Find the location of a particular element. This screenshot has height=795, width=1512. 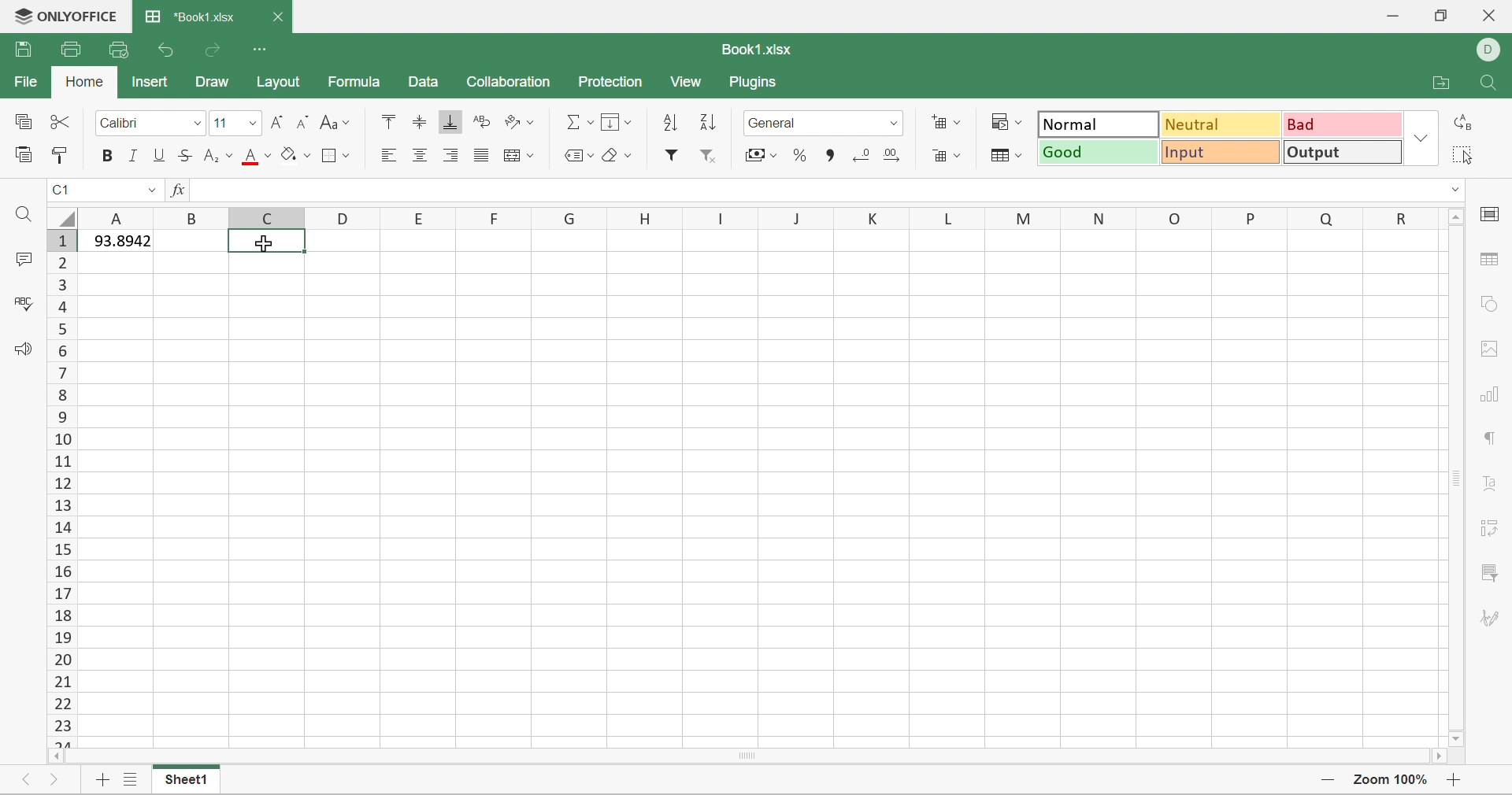

Customize Quick Access Toolbar is located at coordinates (262, 48).